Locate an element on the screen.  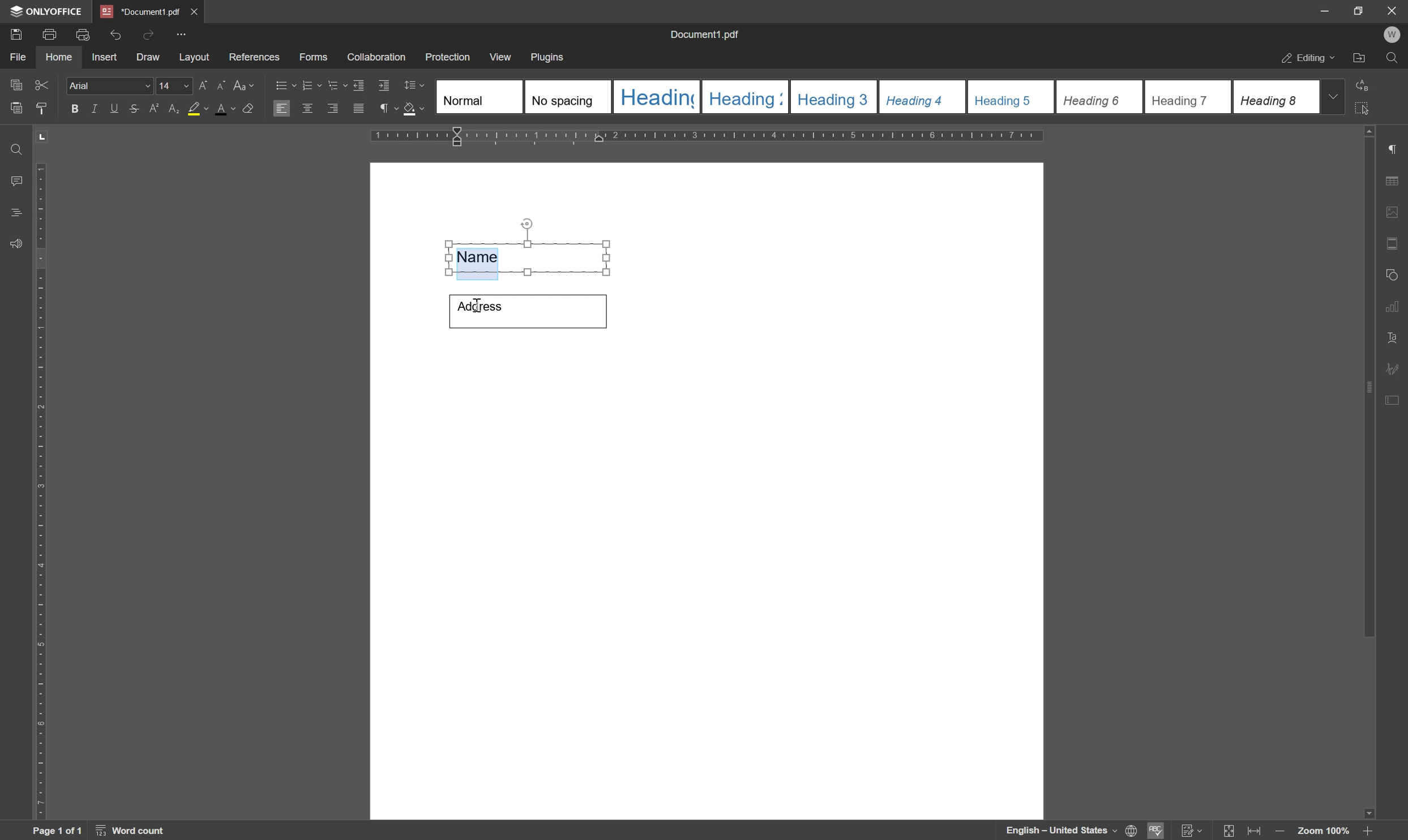
chart settings is located at coordinates (1396, 309).